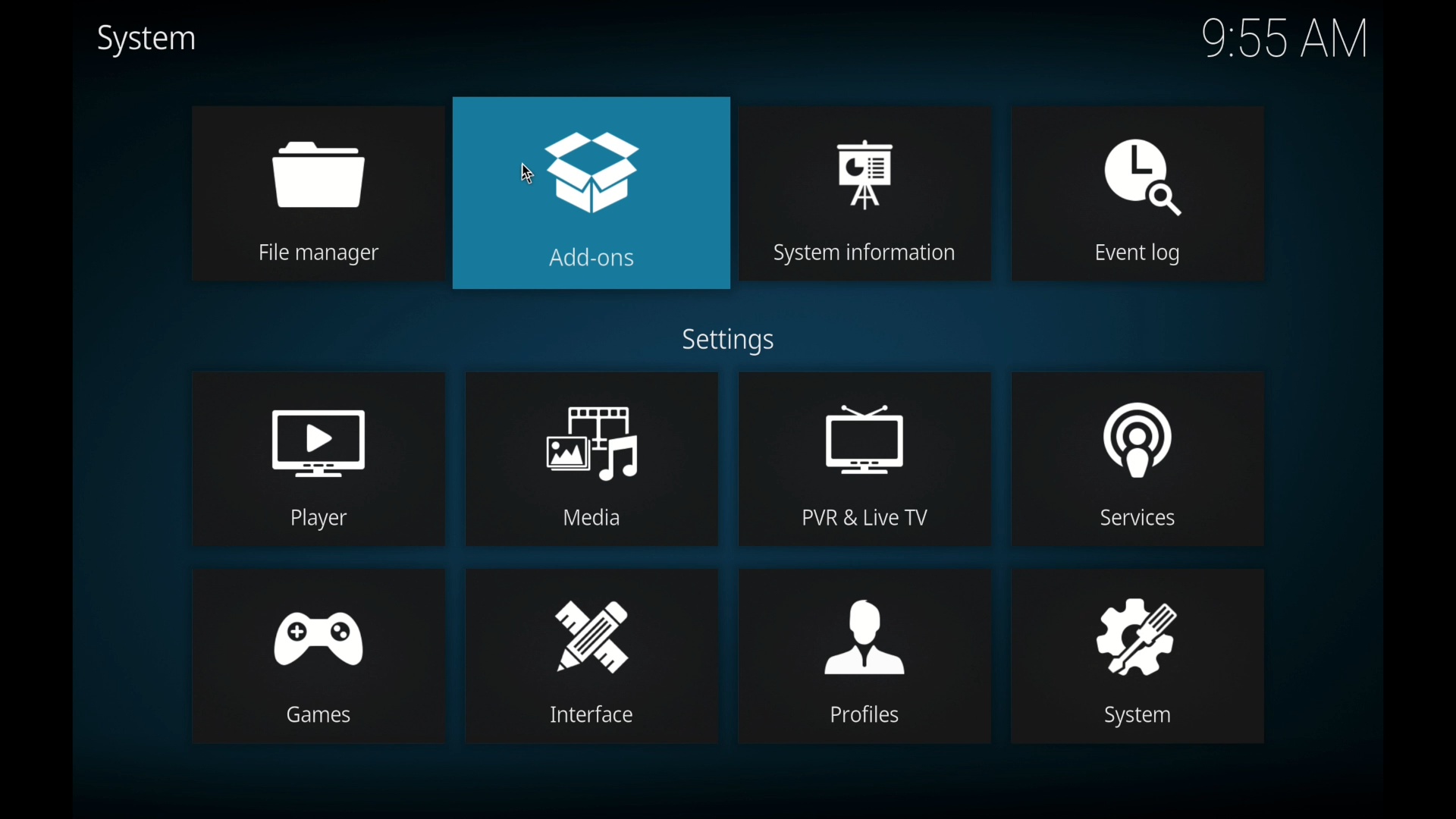 This screenshot has width=1456, height=819. I want to click on system information, so click(868, 195).